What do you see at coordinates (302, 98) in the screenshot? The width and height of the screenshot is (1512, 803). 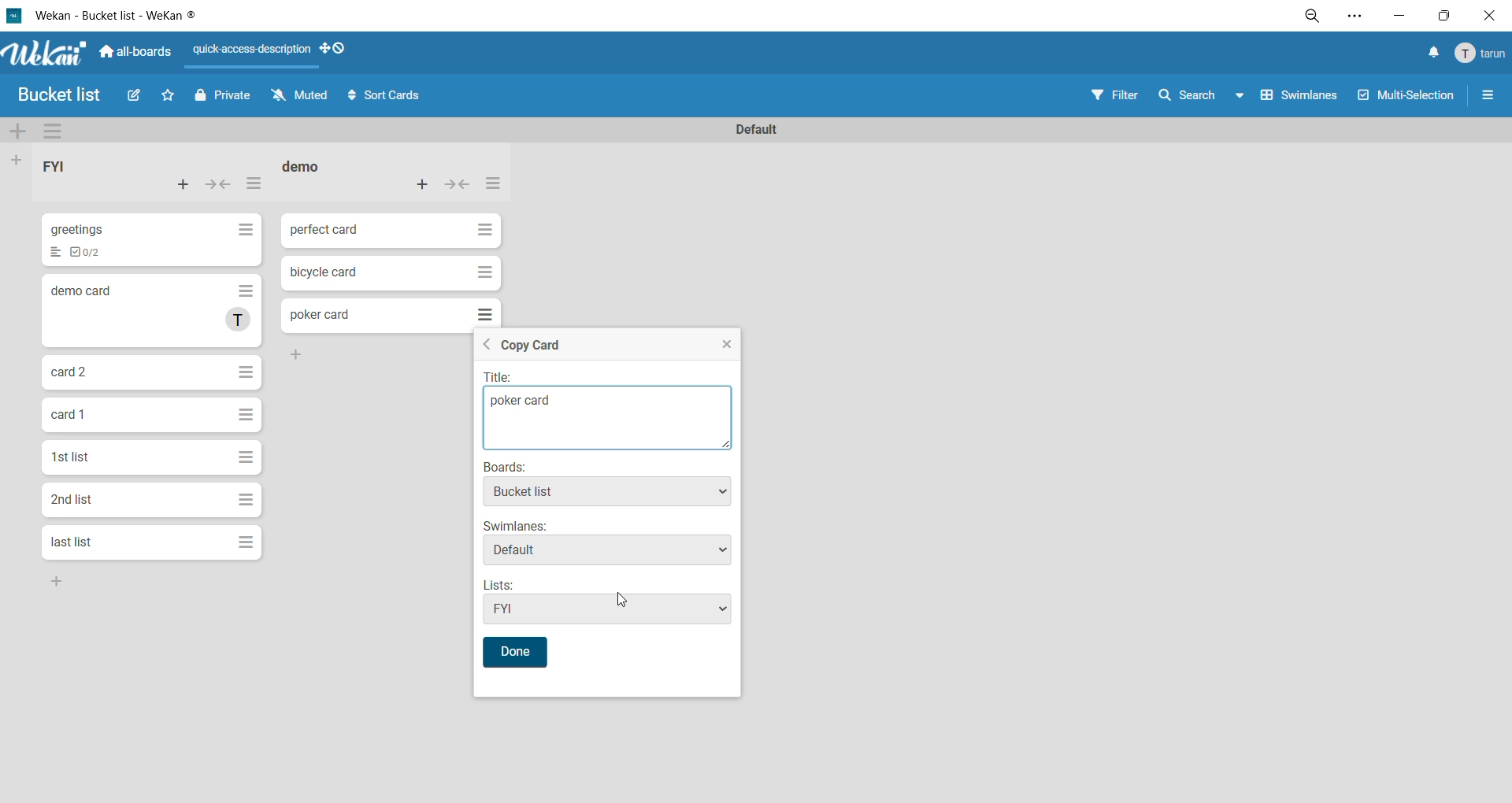 I see `muted` at bounding box center [302, 98].